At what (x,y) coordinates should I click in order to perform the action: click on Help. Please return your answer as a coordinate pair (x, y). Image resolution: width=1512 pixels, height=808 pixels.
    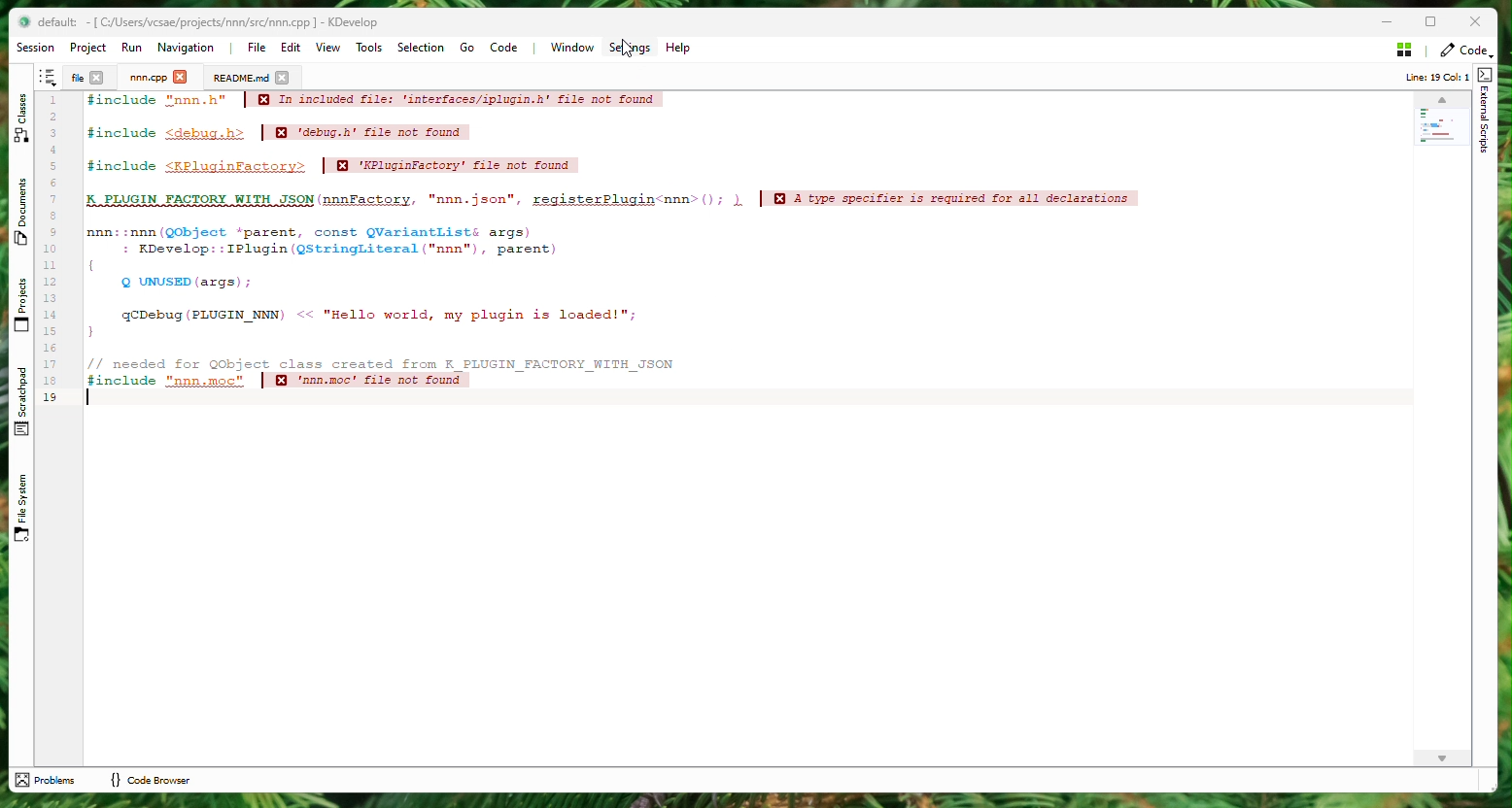
    Looking at the image, I should click on (678, 49).